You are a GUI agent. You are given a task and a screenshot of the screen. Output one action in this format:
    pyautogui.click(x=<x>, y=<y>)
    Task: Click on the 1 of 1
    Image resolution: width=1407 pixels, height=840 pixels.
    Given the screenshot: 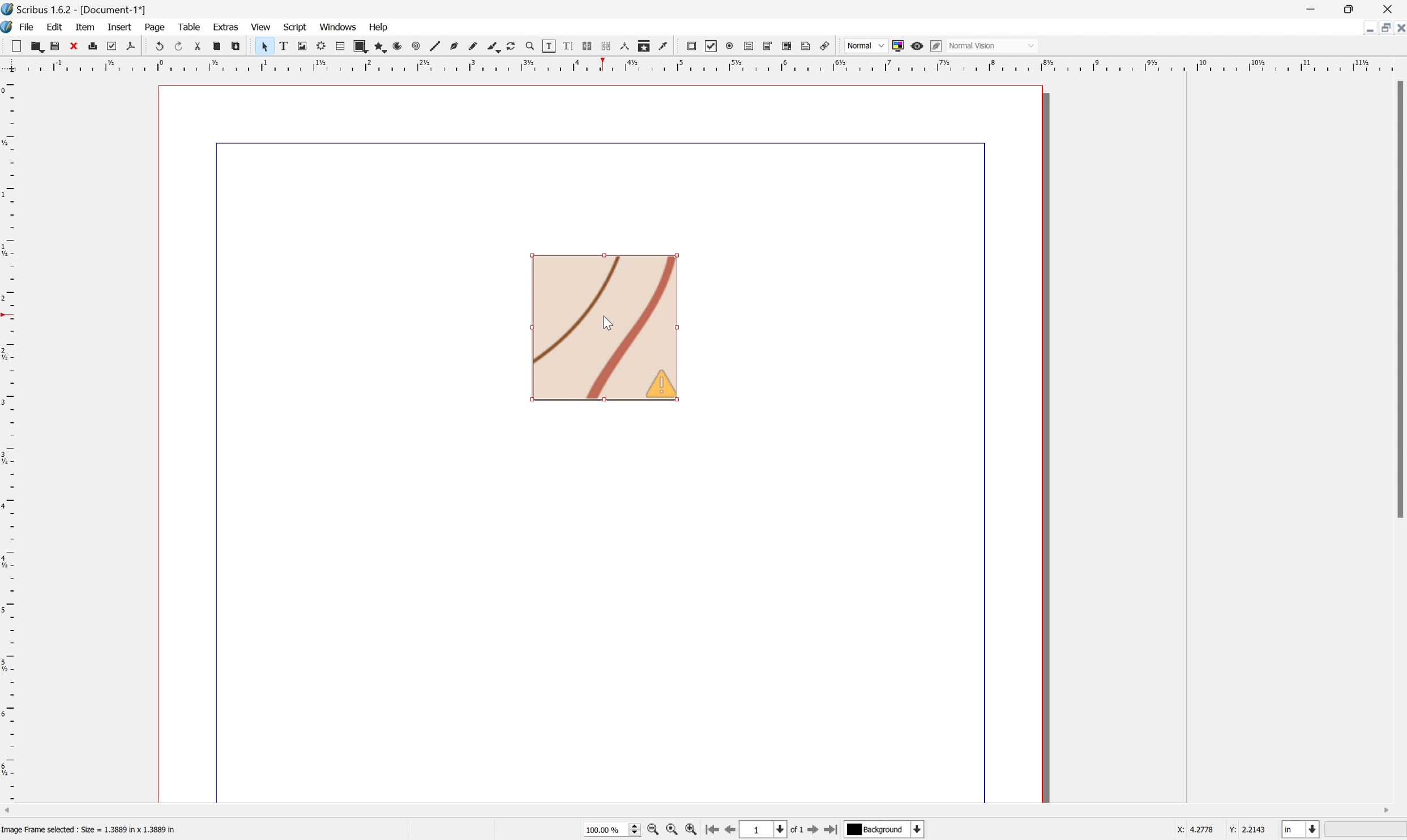 What is the action you would take?
    pyautogui.click(x=775, y=829)
    